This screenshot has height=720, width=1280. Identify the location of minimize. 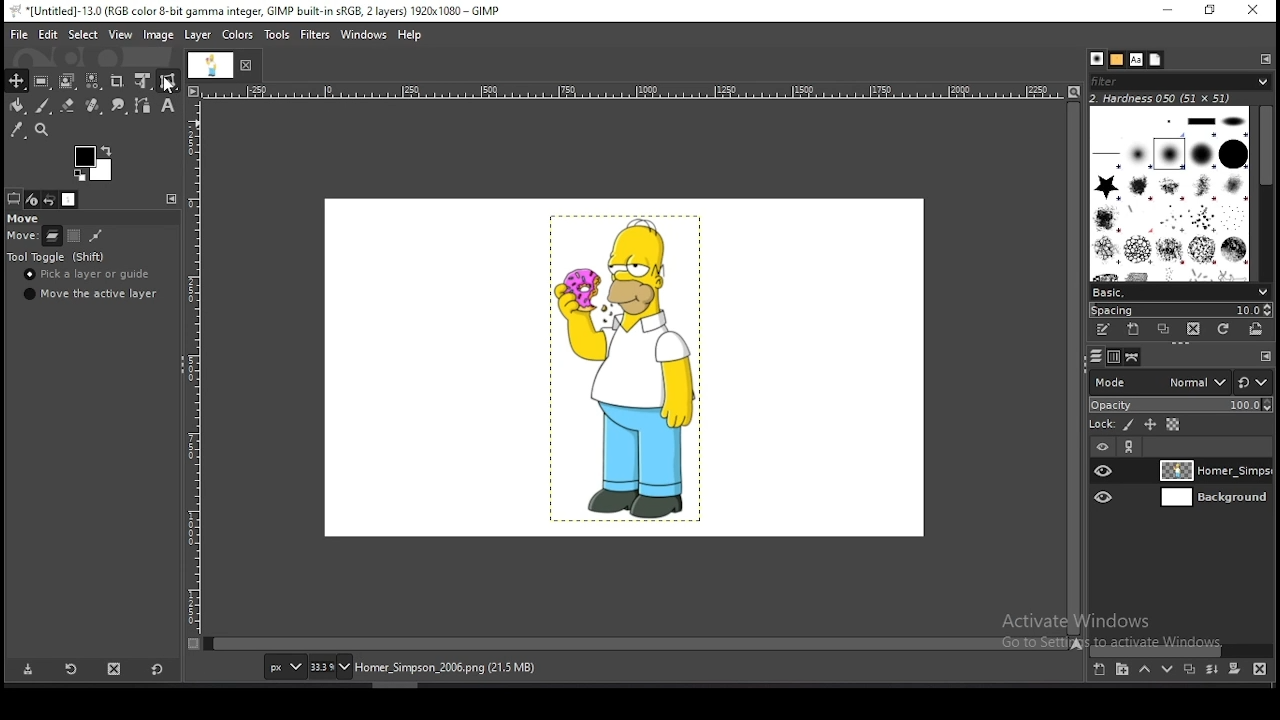
(1168, 11).